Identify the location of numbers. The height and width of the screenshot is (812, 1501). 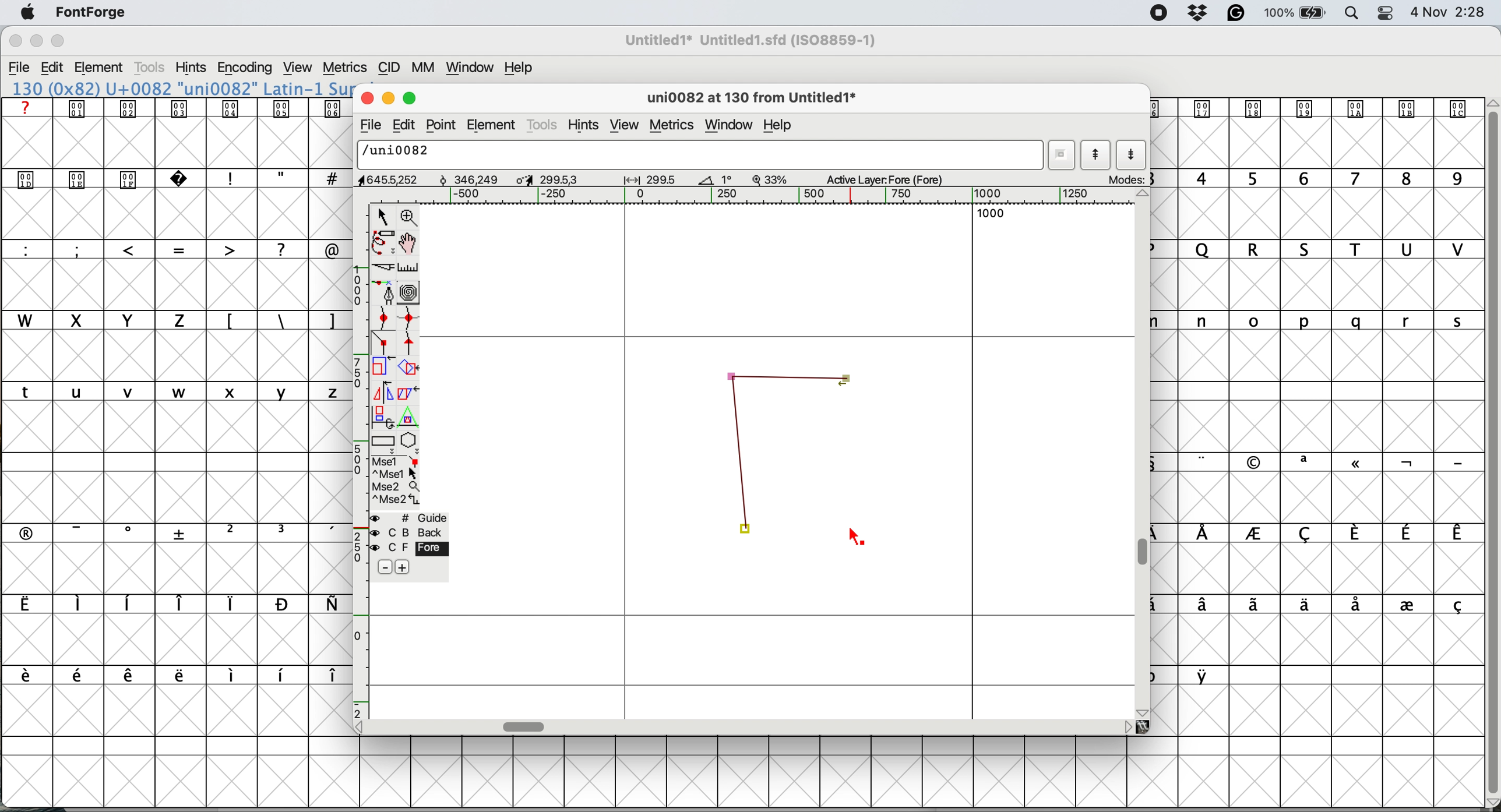
(1320, 178).